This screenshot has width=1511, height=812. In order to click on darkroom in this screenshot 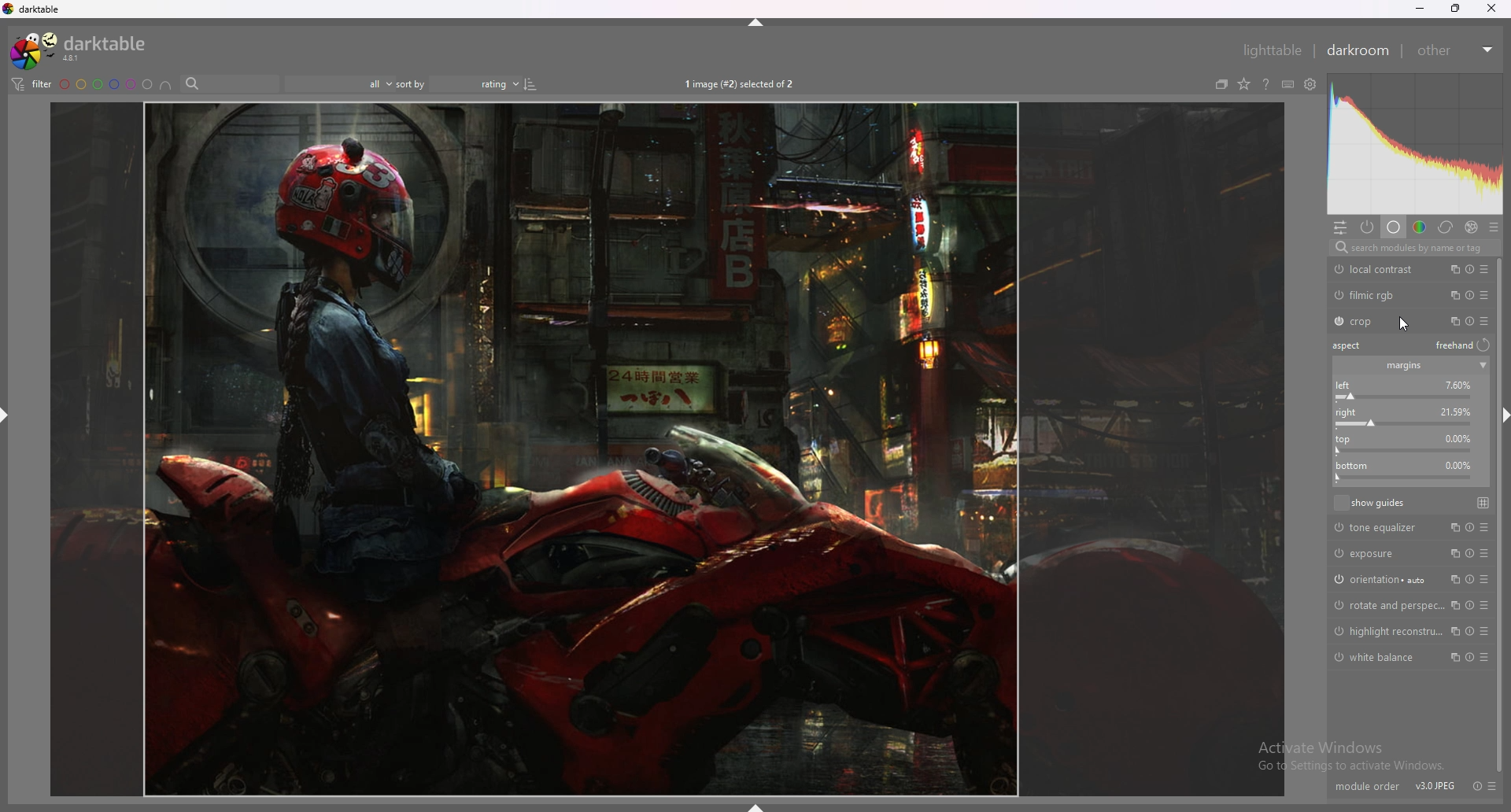, I will do `click(1358, 50)`.